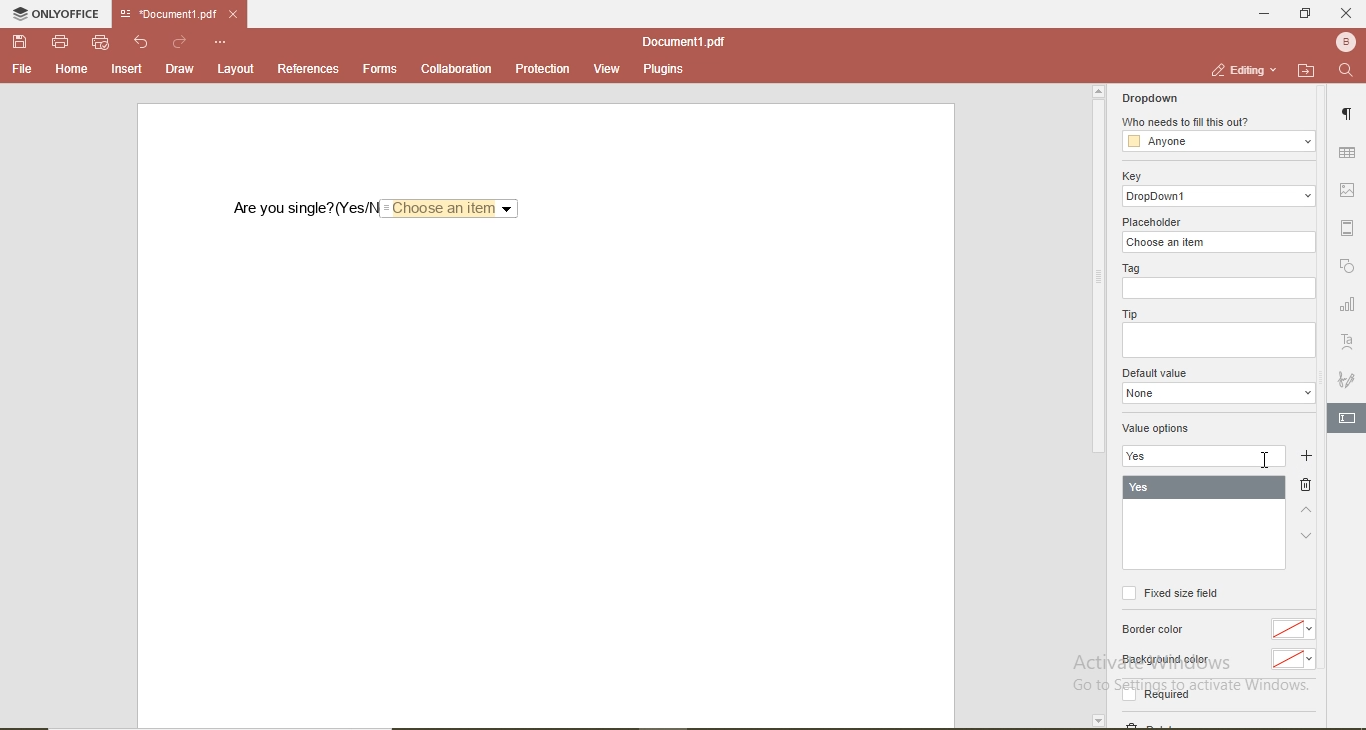 This screenshot has width=1366, height=730. Describe the element at coordinates (379, 69) in the screenshot. I see `forms` at that location.